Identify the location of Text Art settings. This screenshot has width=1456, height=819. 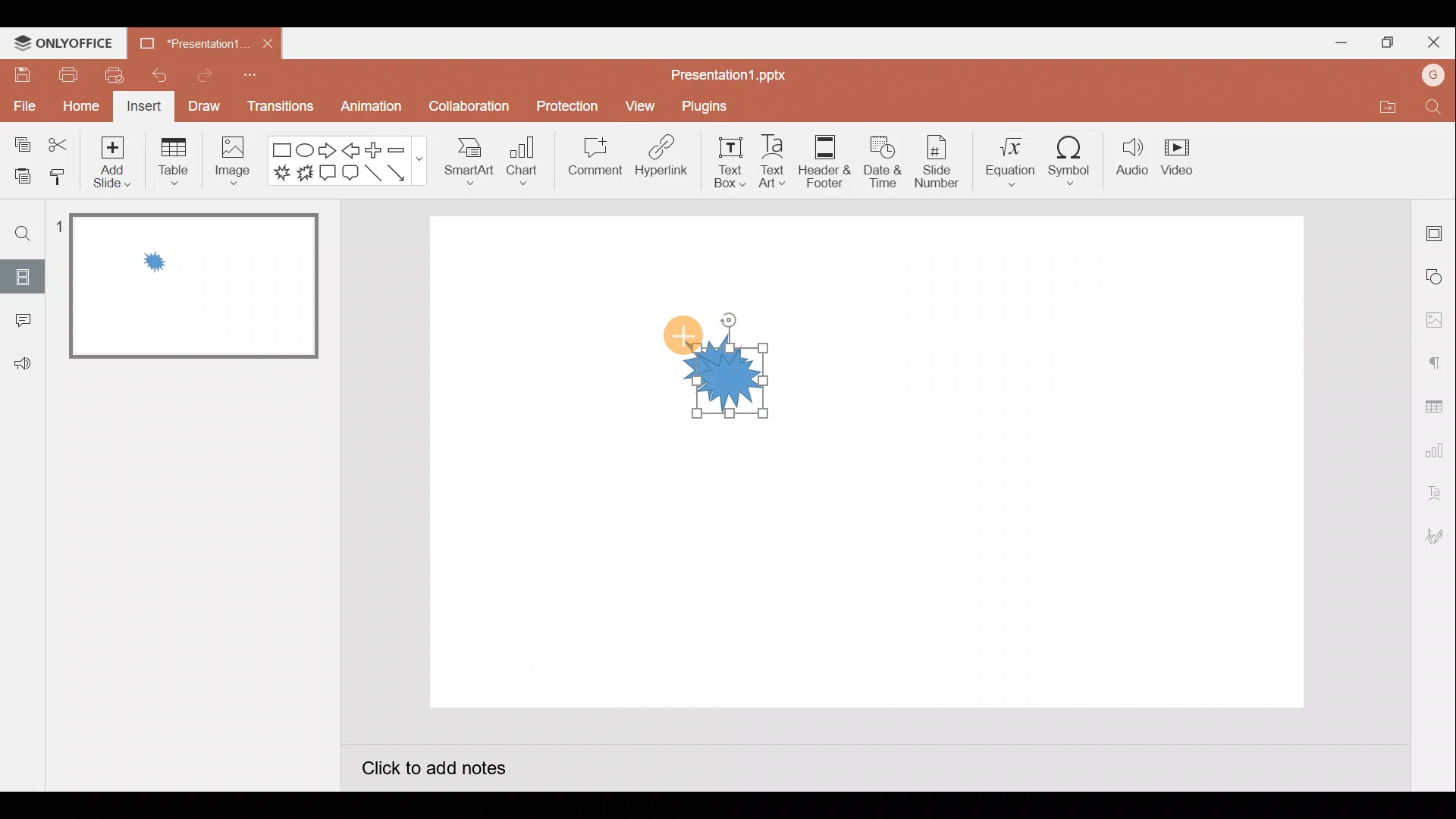
(1434, 490).